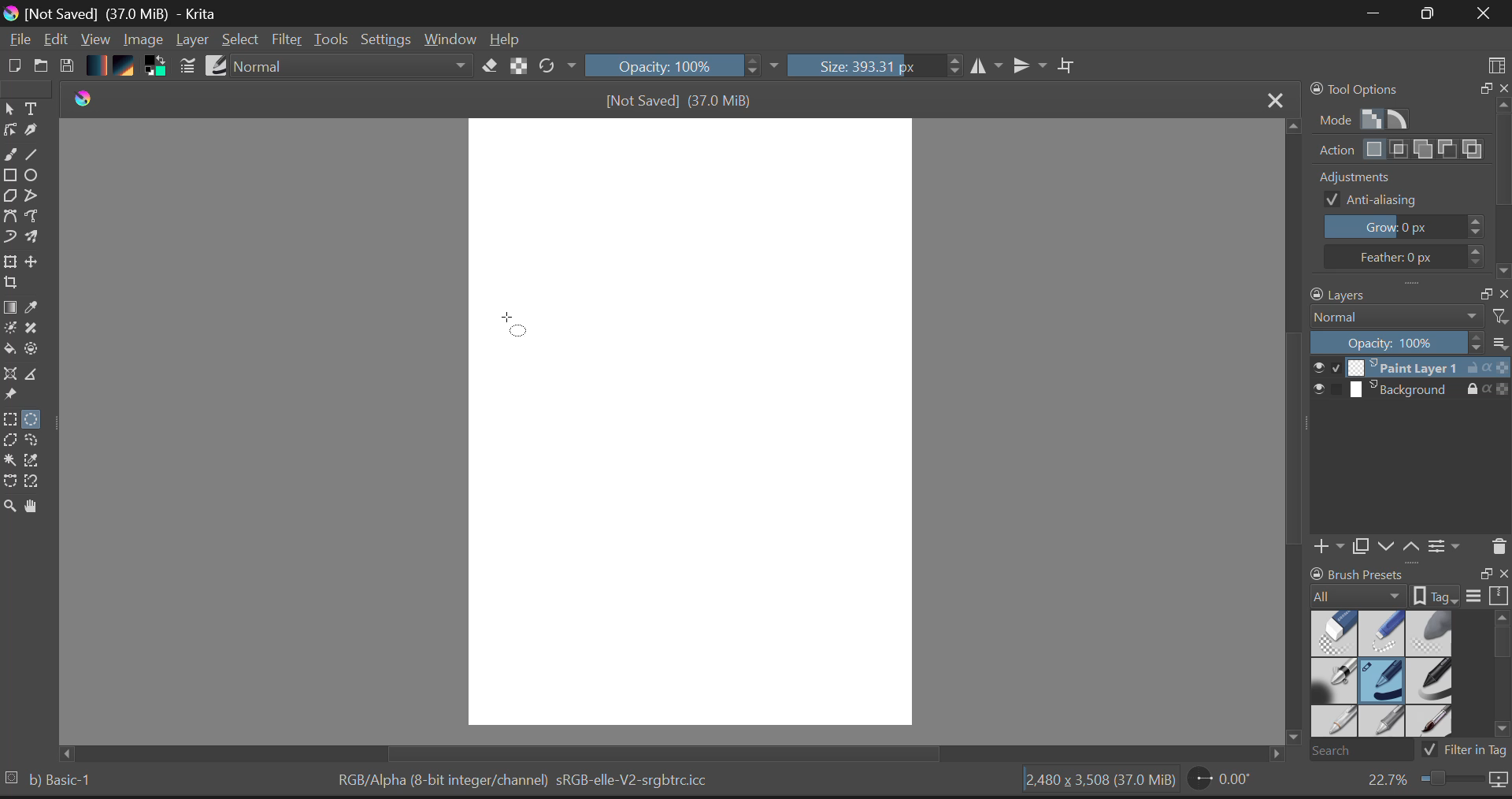  I want to click on Polygon, so click(11, 199).